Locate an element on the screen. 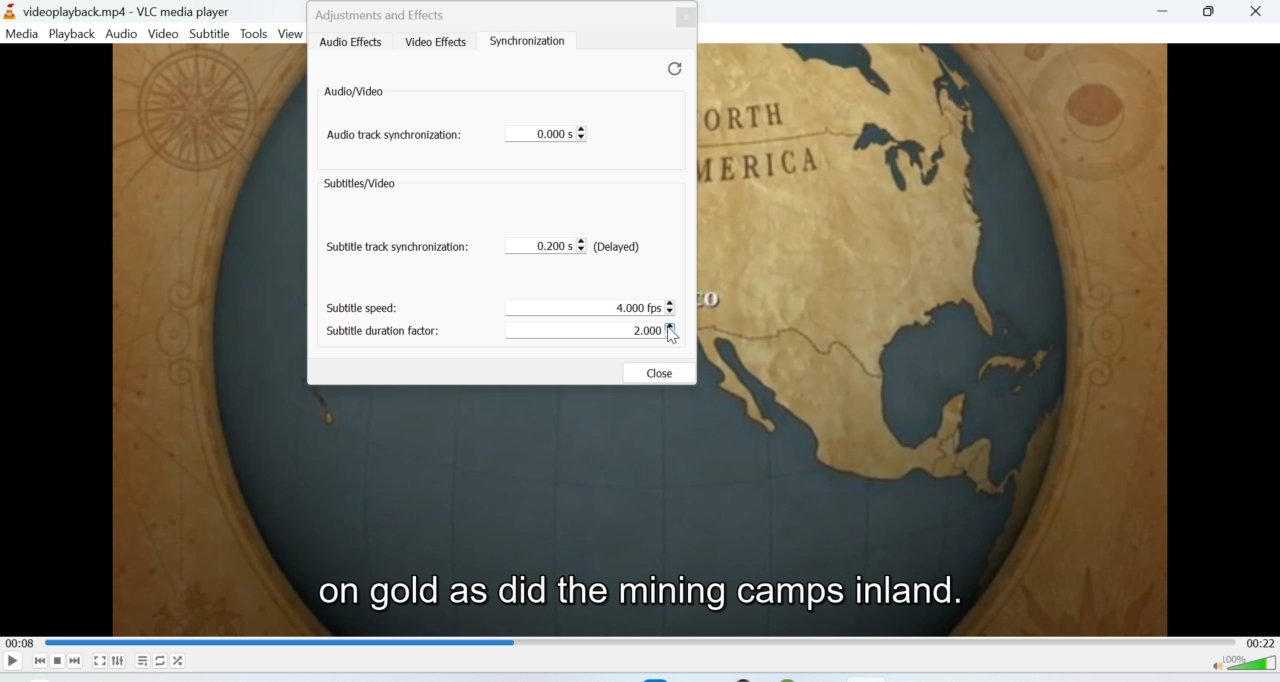 This screenshot has width=1280, height=682. Shuffle is located at coordinates (179, 662).